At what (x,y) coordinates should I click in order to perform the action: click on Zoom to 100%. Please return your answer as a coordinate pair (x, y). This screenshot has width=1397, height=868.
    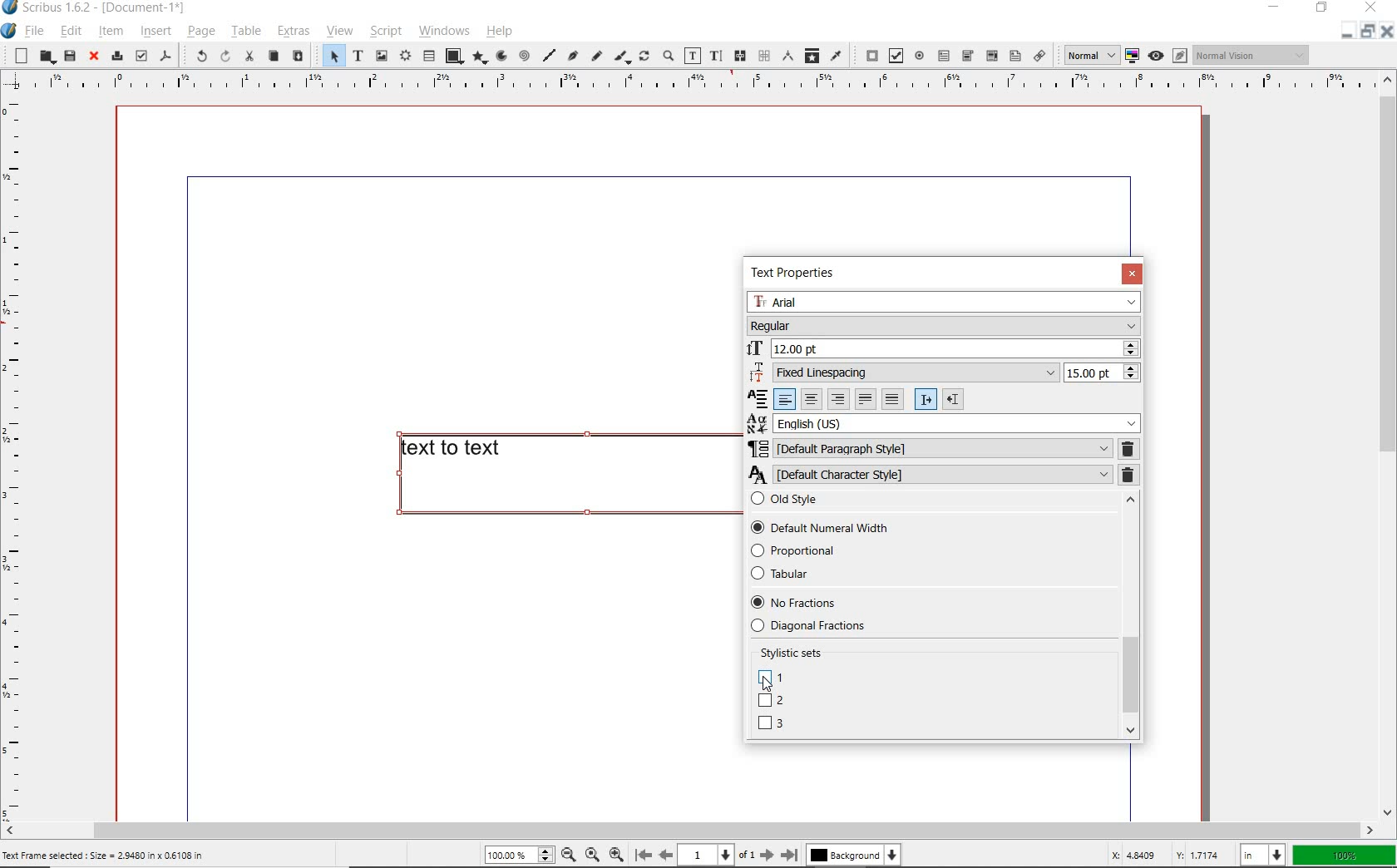
    Looking at the image, I should click on (590, 854).